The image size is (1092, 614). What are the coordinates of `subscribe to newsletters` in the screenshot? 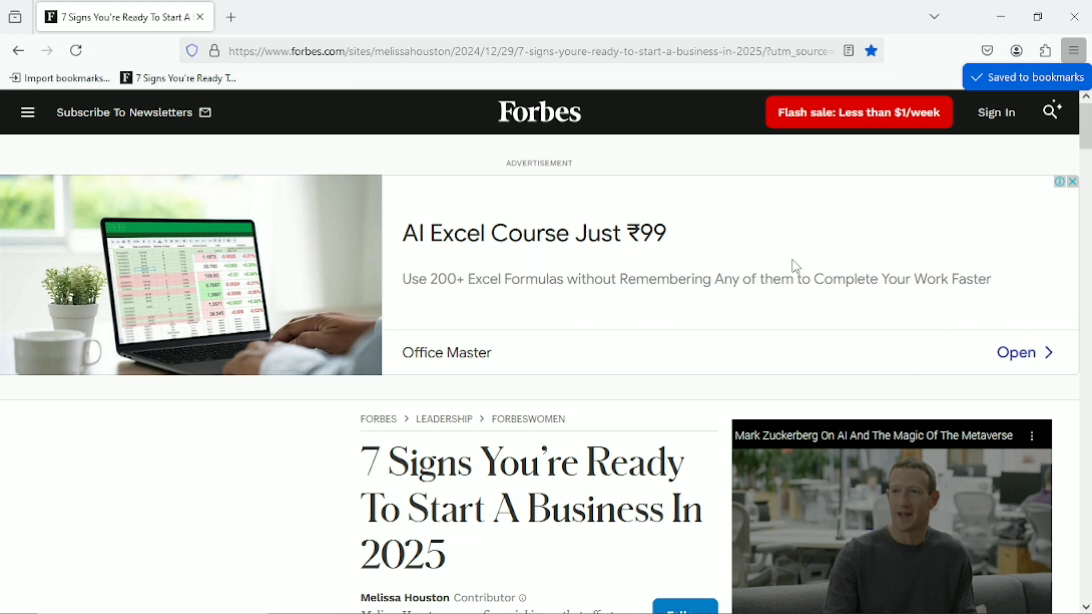 It's located at (133, 112).